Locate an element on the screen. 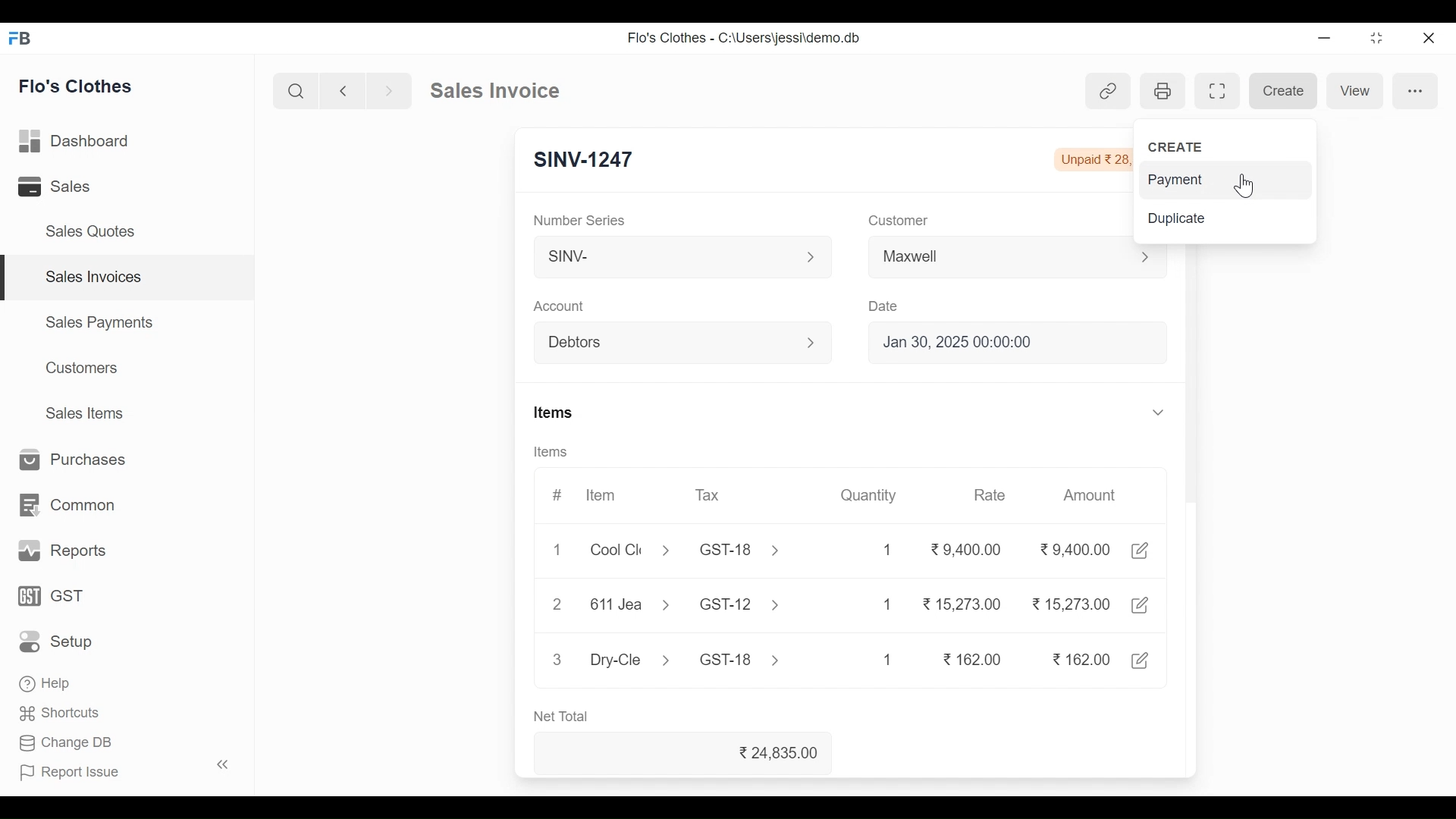 The image size is (1456, 819). Sales is located at coordinates (58, 187).